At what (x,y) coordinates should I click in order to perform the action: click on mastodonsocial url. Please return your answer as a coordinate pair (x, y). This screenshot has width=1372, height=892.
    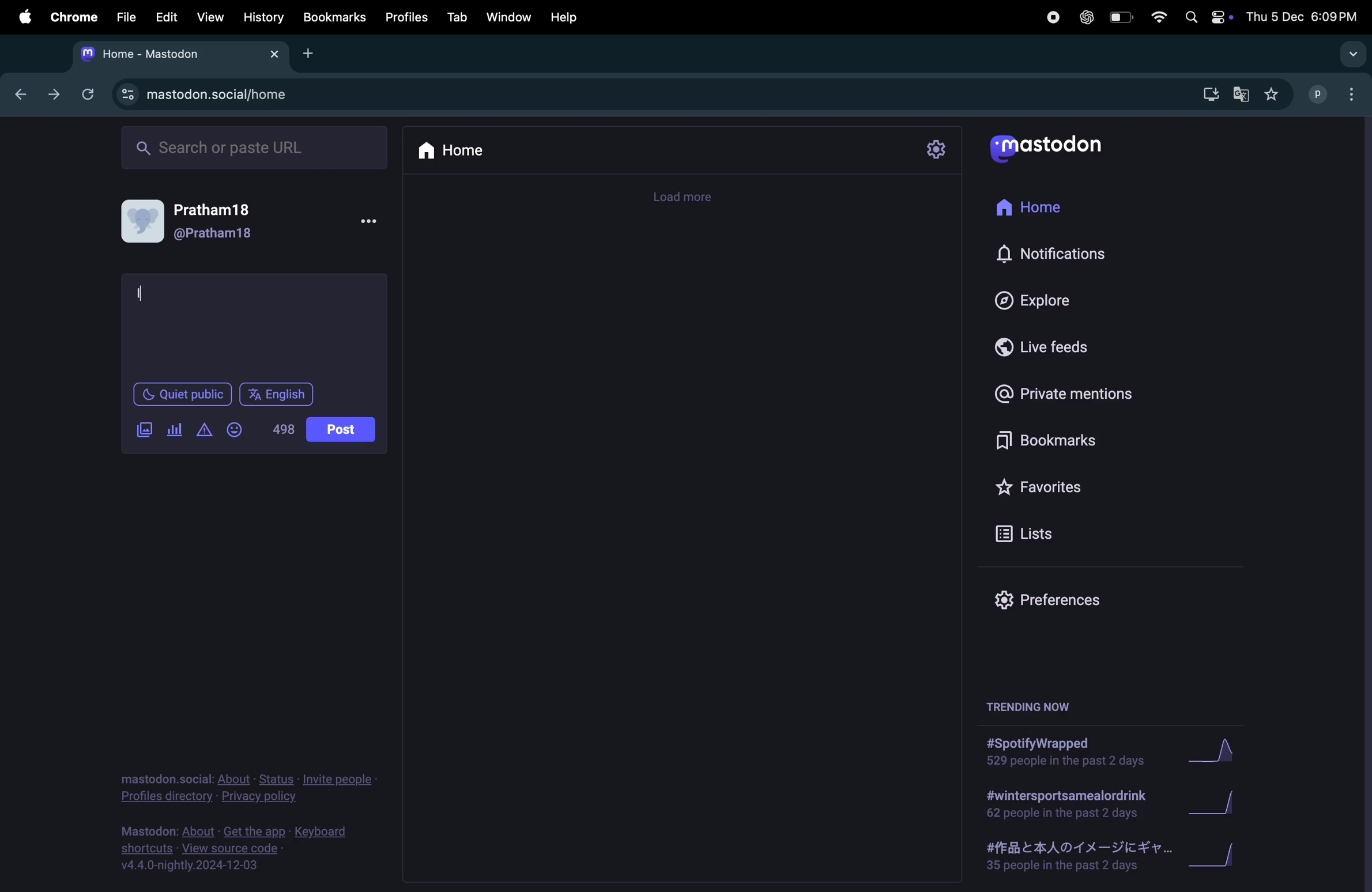
    Looking at the image, I should click on (207, 95).